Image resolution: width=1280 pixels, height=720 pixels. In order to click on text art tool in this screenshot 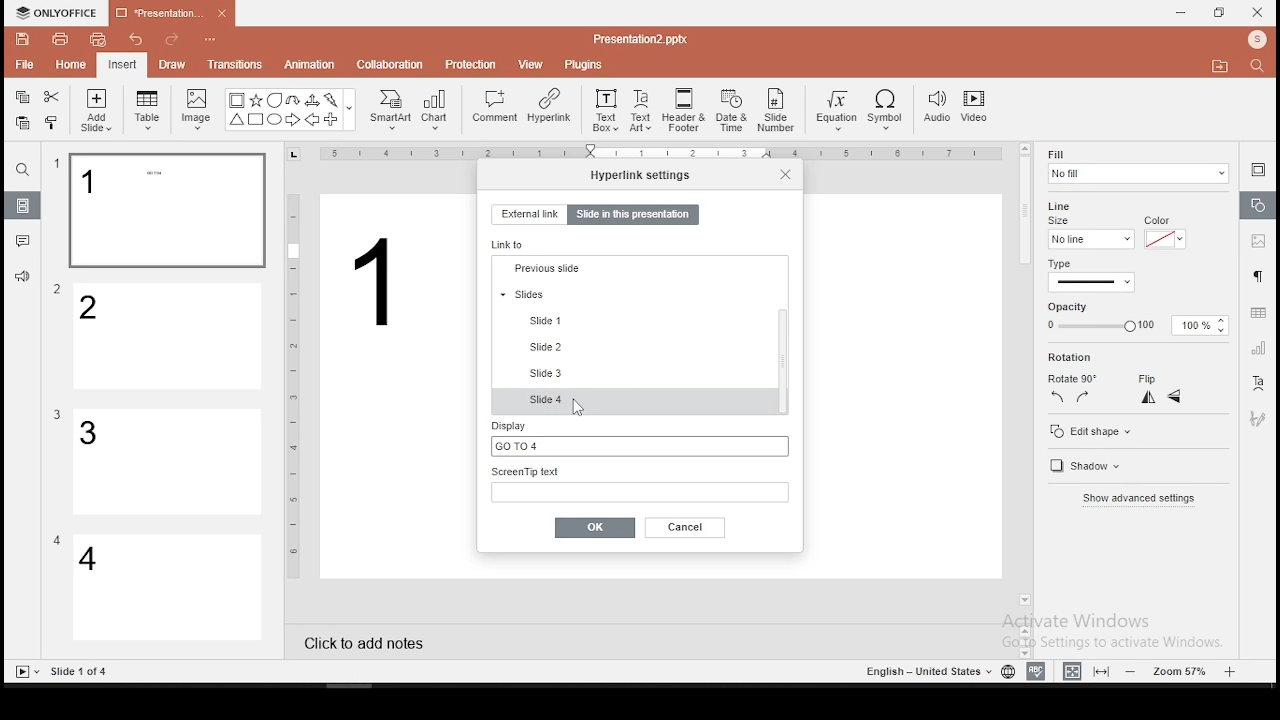, I will do `click(1257, 384)`.